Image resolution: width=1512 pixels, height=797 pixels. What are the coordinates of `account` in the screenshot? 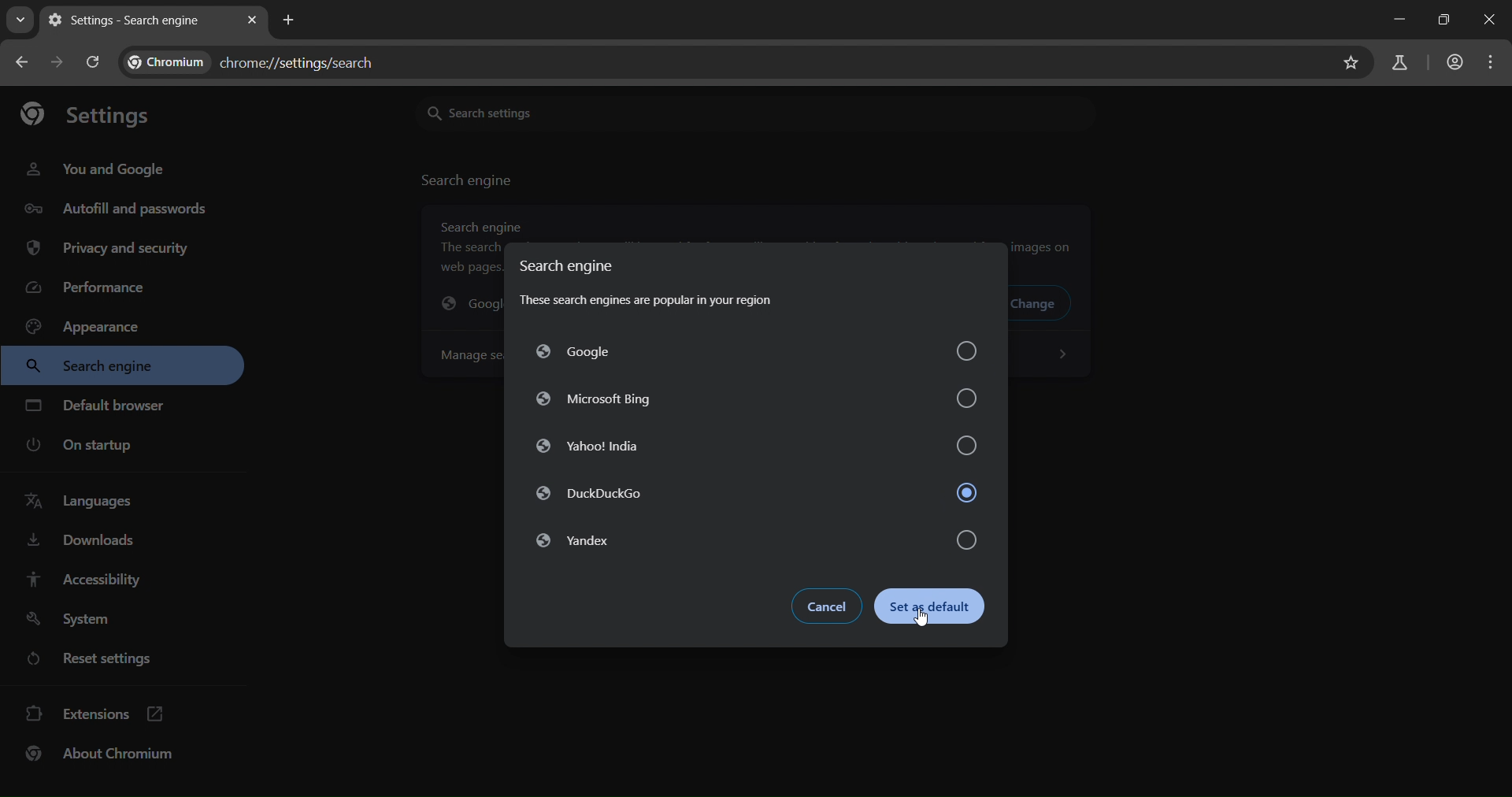 It's located at (1455, 65).